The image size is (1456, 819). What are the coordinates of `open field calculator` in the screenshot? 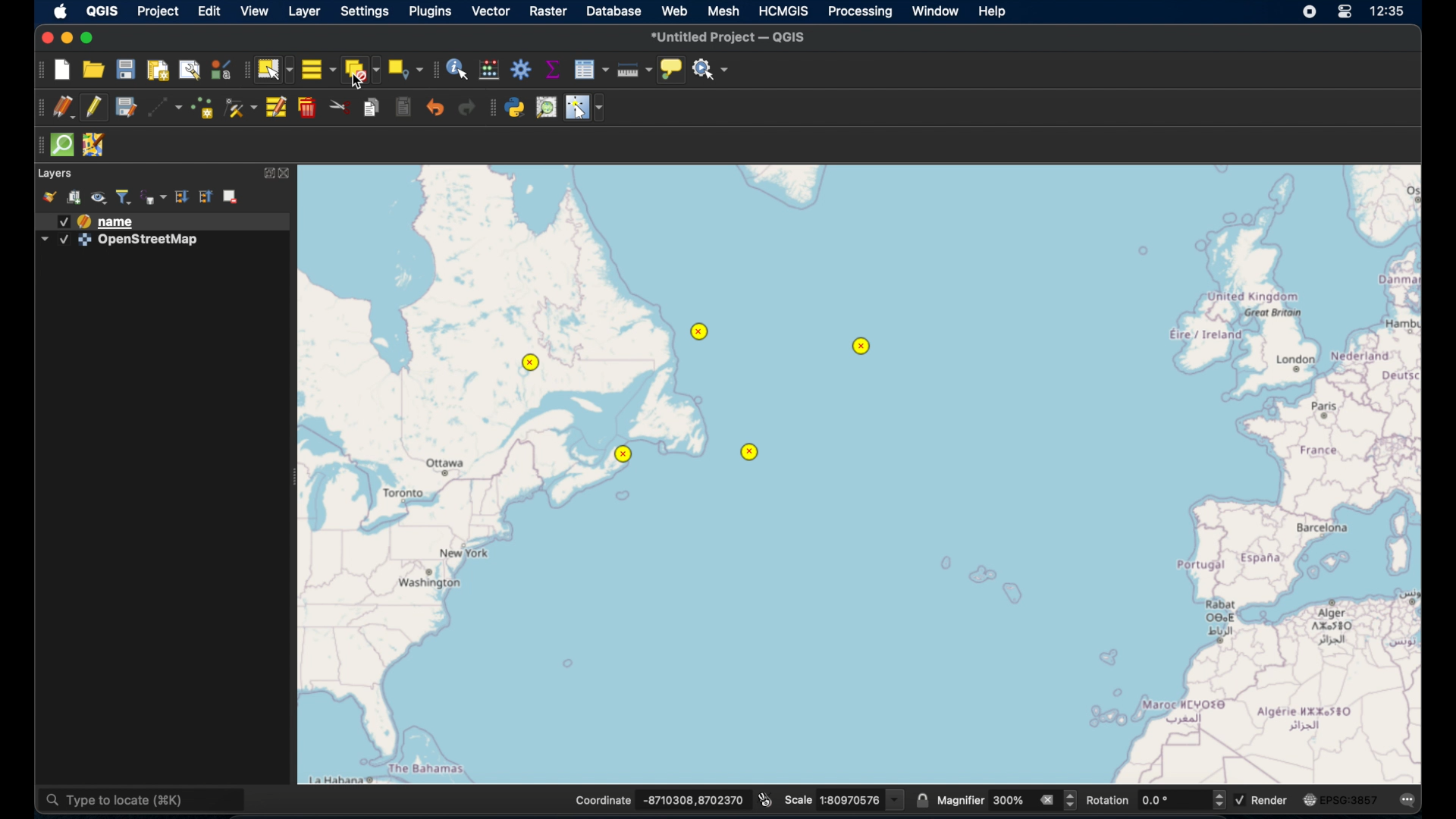 It's located at (488, 71).